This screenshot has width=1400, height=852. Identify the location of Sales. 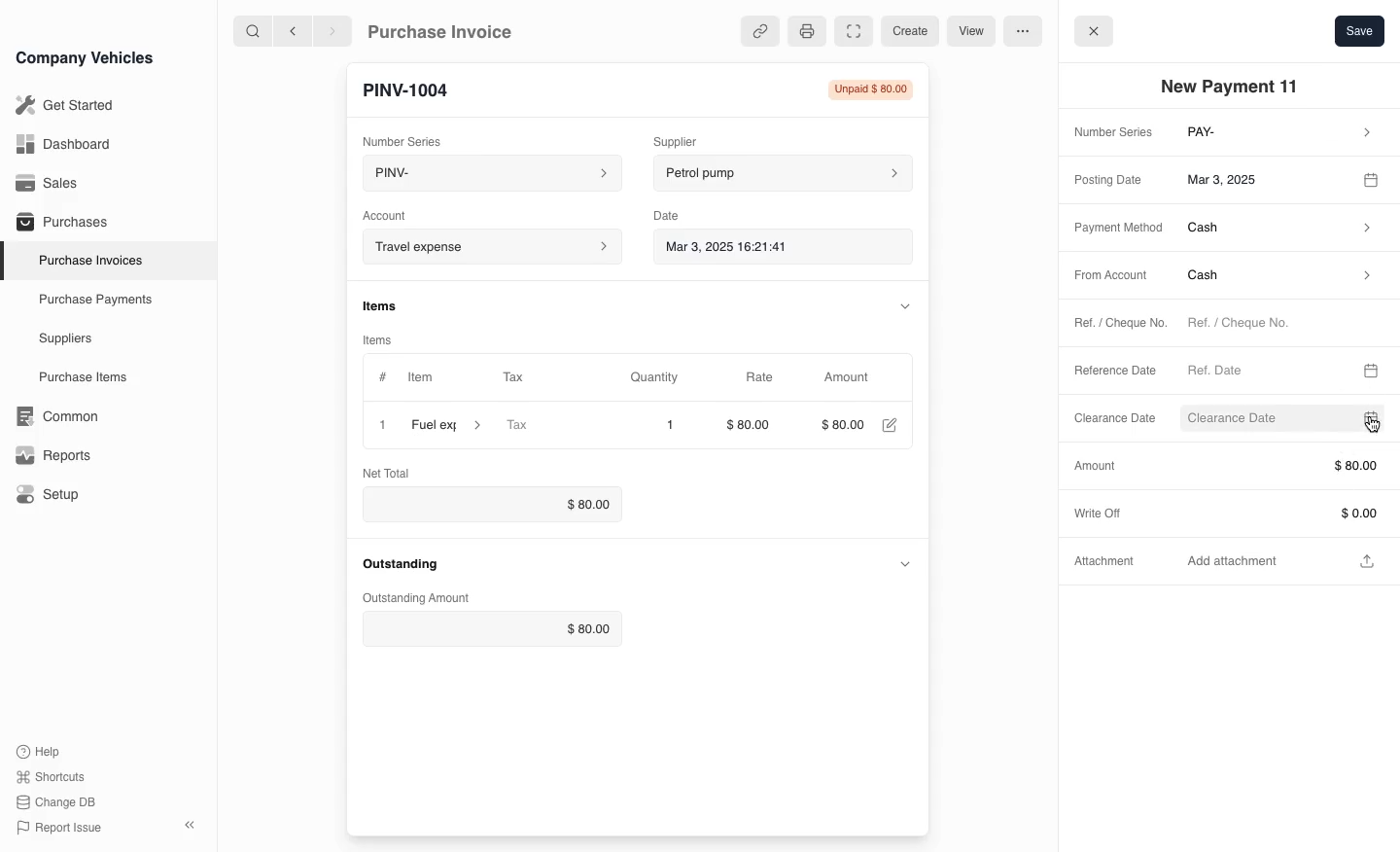
(48, 183).